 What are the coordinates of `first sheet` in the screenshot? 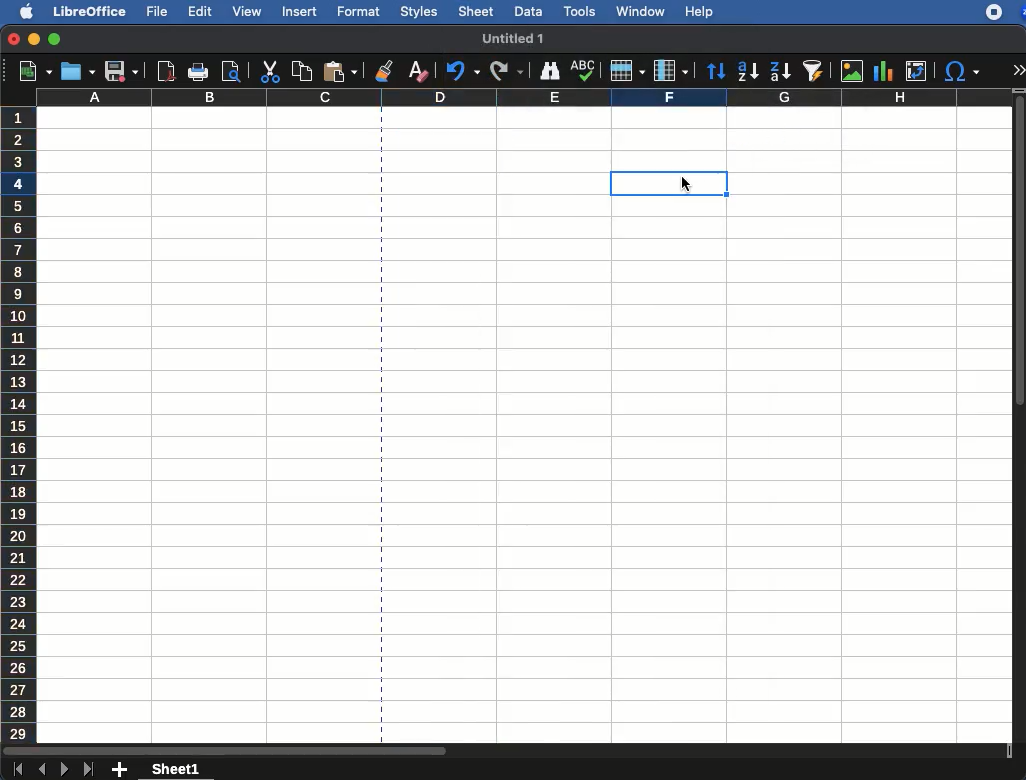 It's located at (17, 770).